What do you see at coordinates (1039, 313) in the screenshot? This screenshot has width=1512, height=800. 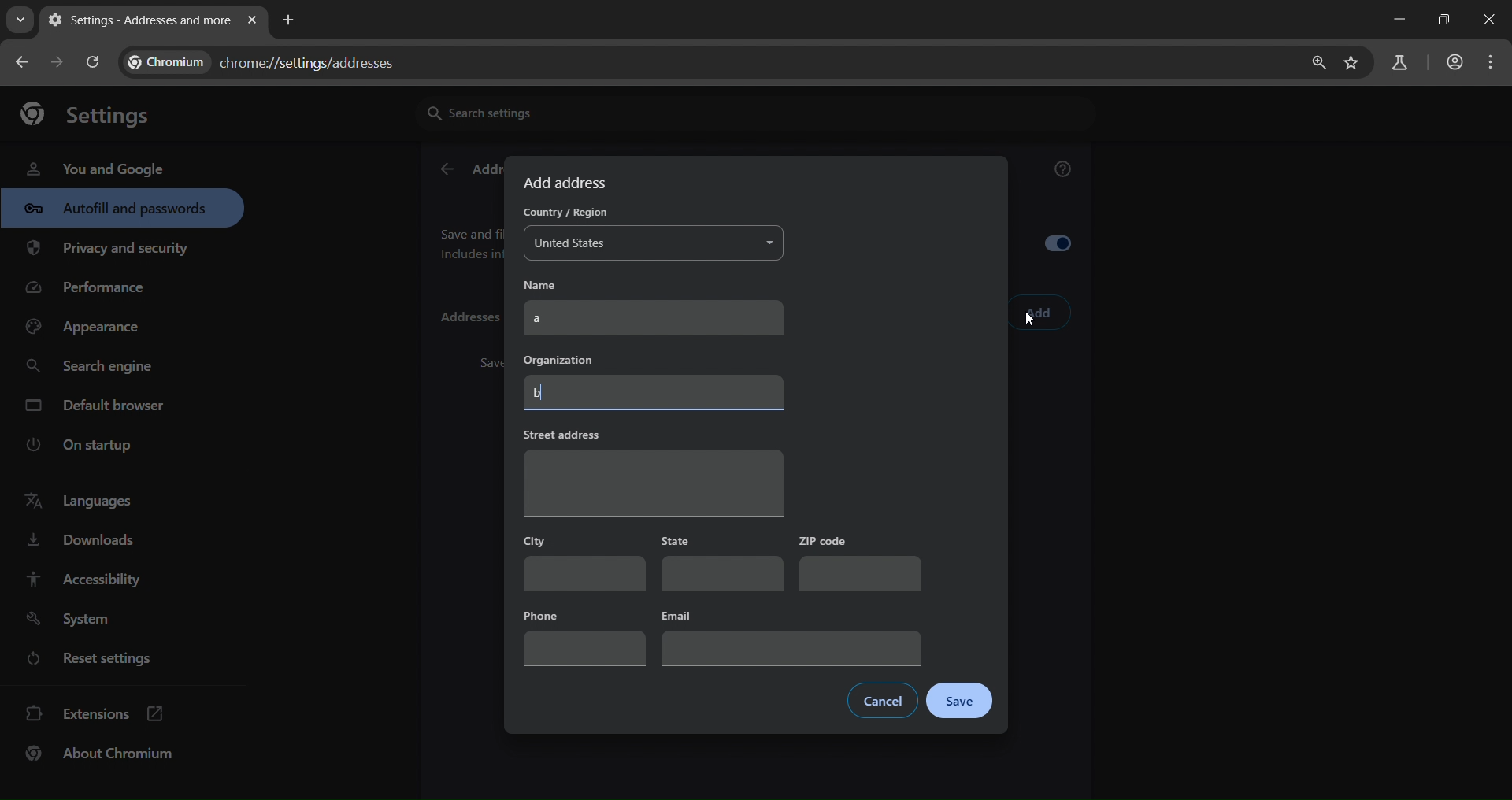 I see `add` at bounding box center [1039, 313].